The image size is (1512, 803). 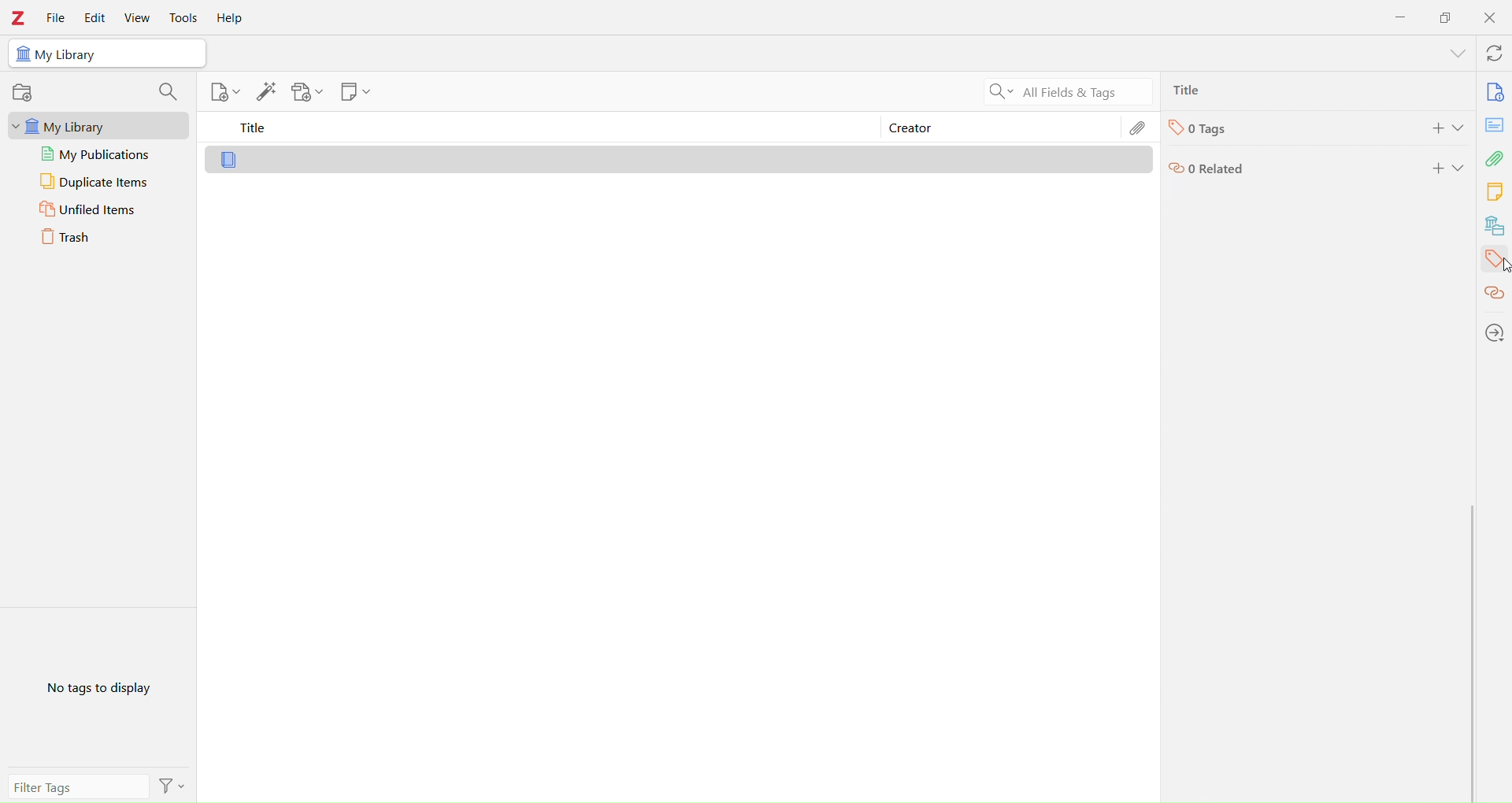 What do you see at coordinates (99, 183) in the screenshot?
I see `Duplicate Items` at bounding box center [99, 183].